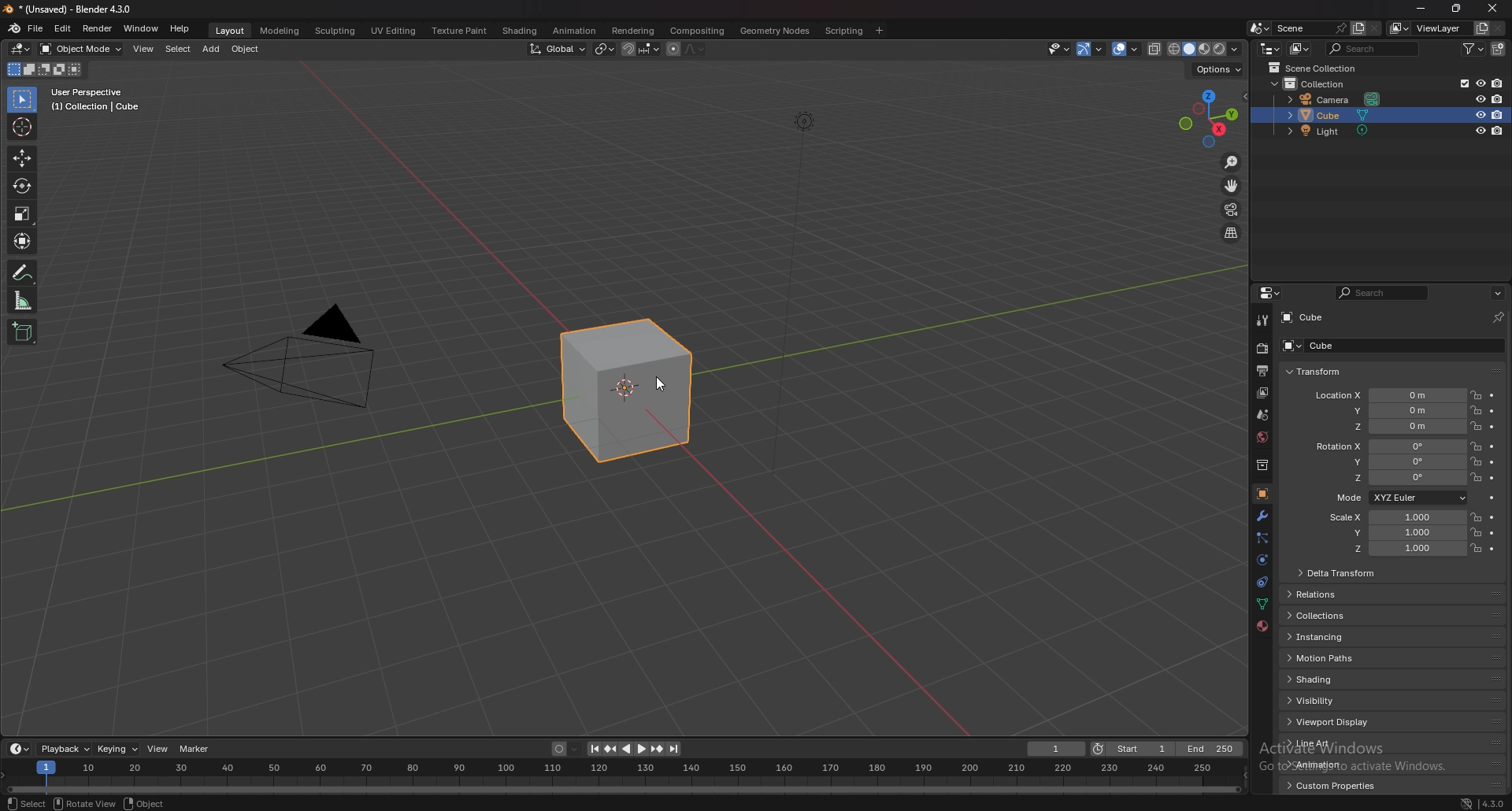  Describe the element at coordinates (1476, 395) in the screenshot. I see `lock location` at that location.